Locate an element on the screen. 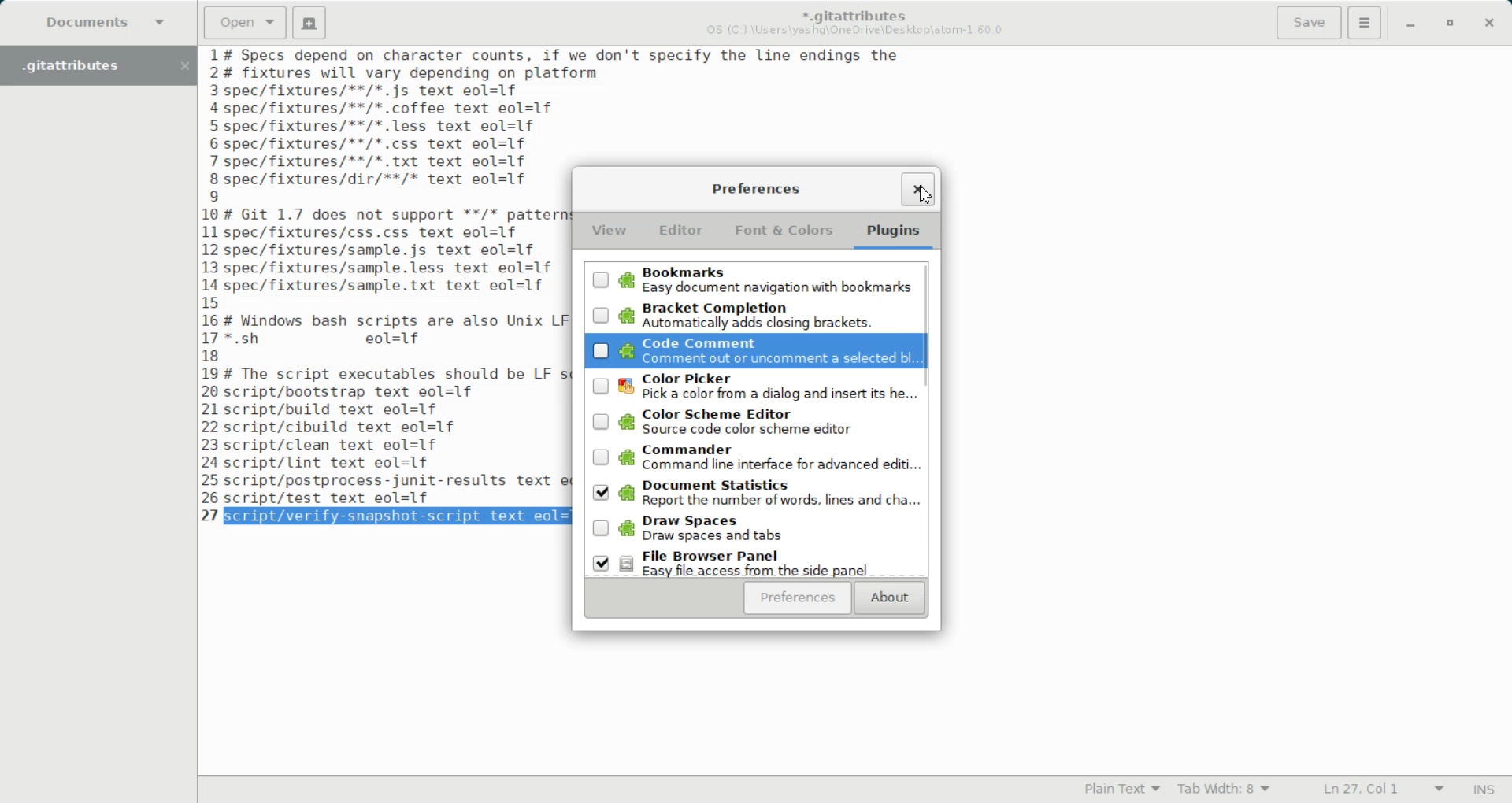 Image resolution: width=1512 pixels, height=803 pixels. Ln 27, Col 42 is located at coordinates (1377, 790).